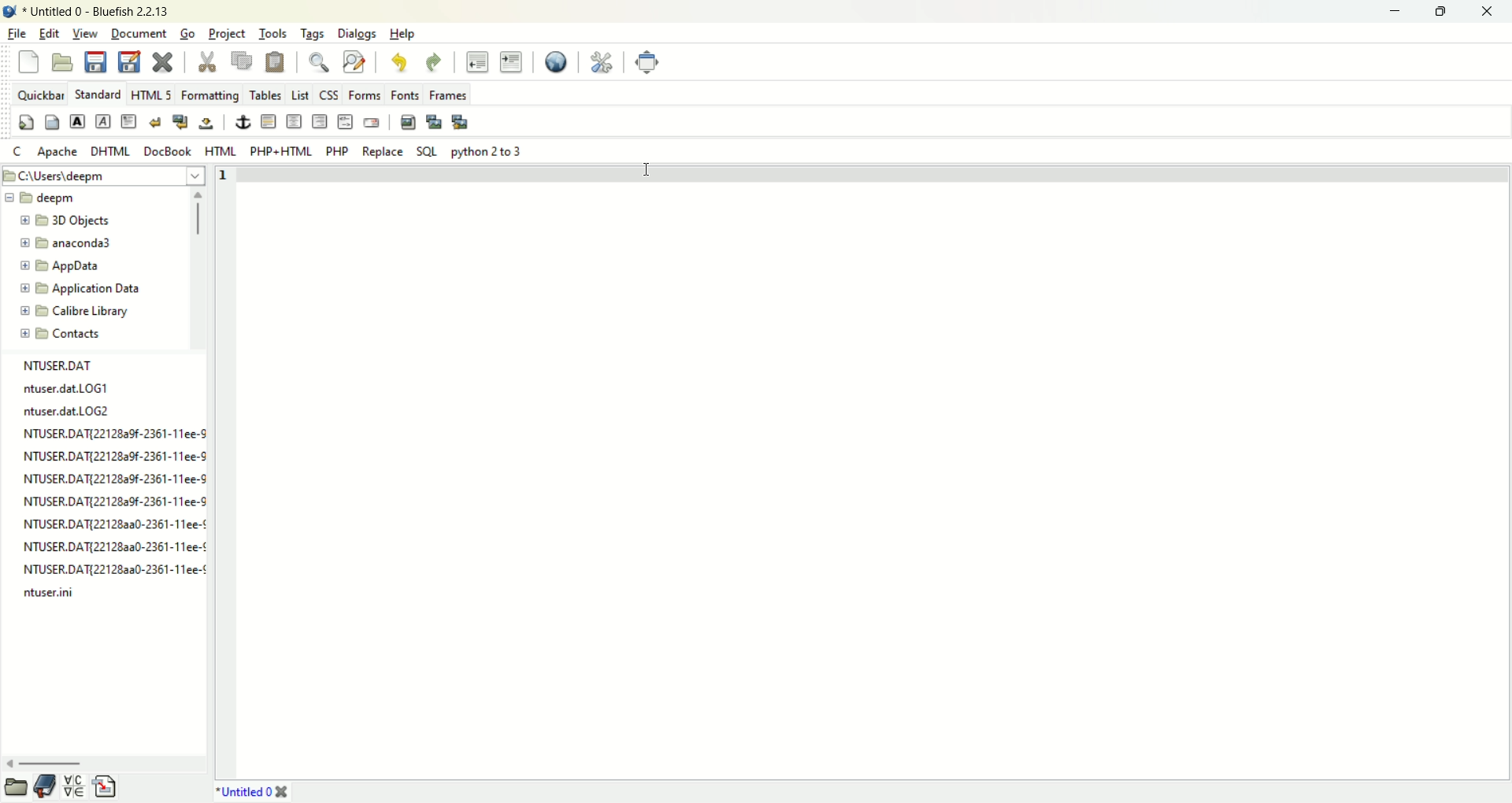 The height and width of the screenshot is (803, 1512). What do you see at coordinates (327, 94) in the screenshot?
I see `Css` at bounding box center [327, 94].